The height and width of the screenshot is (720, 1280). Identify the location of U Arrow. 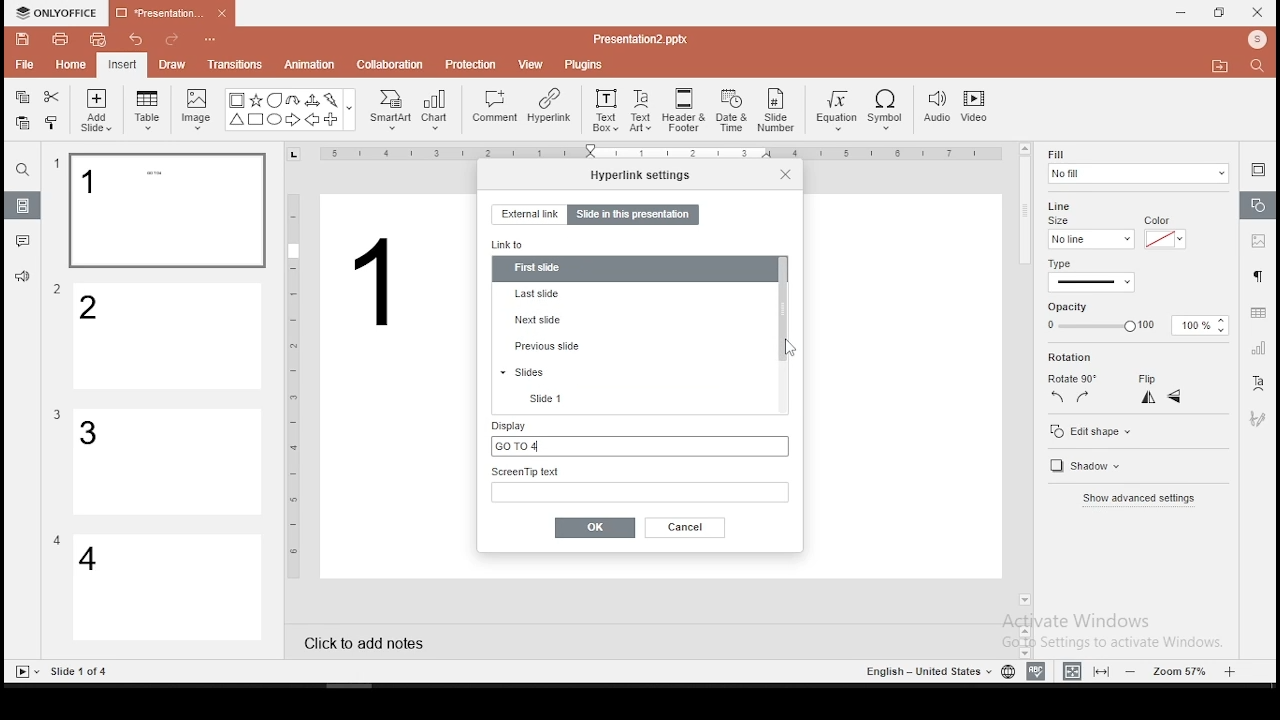
(294, 100).